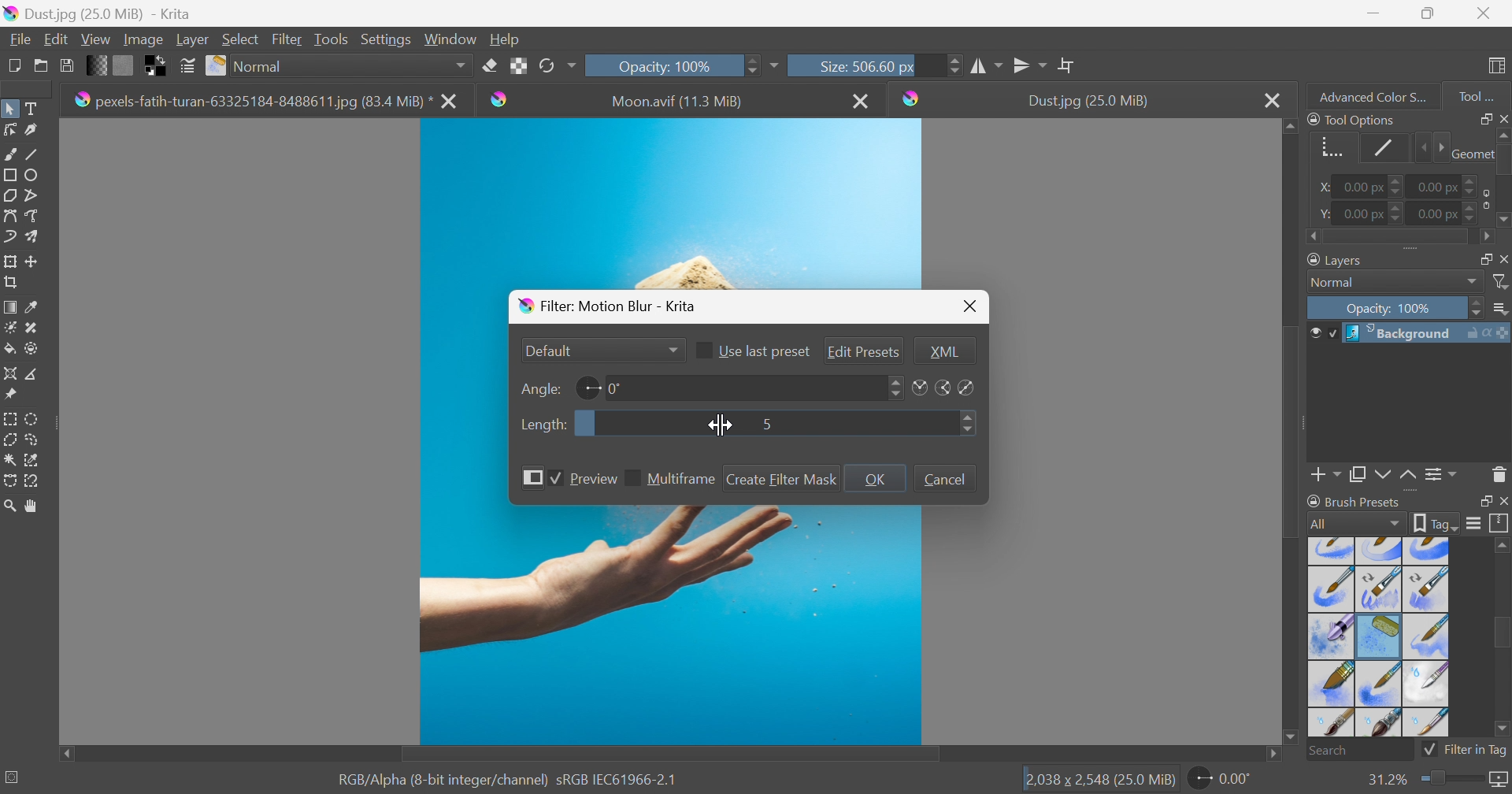 The height and width of the screenshot is (794, 1512). Describe the element at coordinates (33, 418) in the screenshot. I see `Elliptical selection tool` at that location.